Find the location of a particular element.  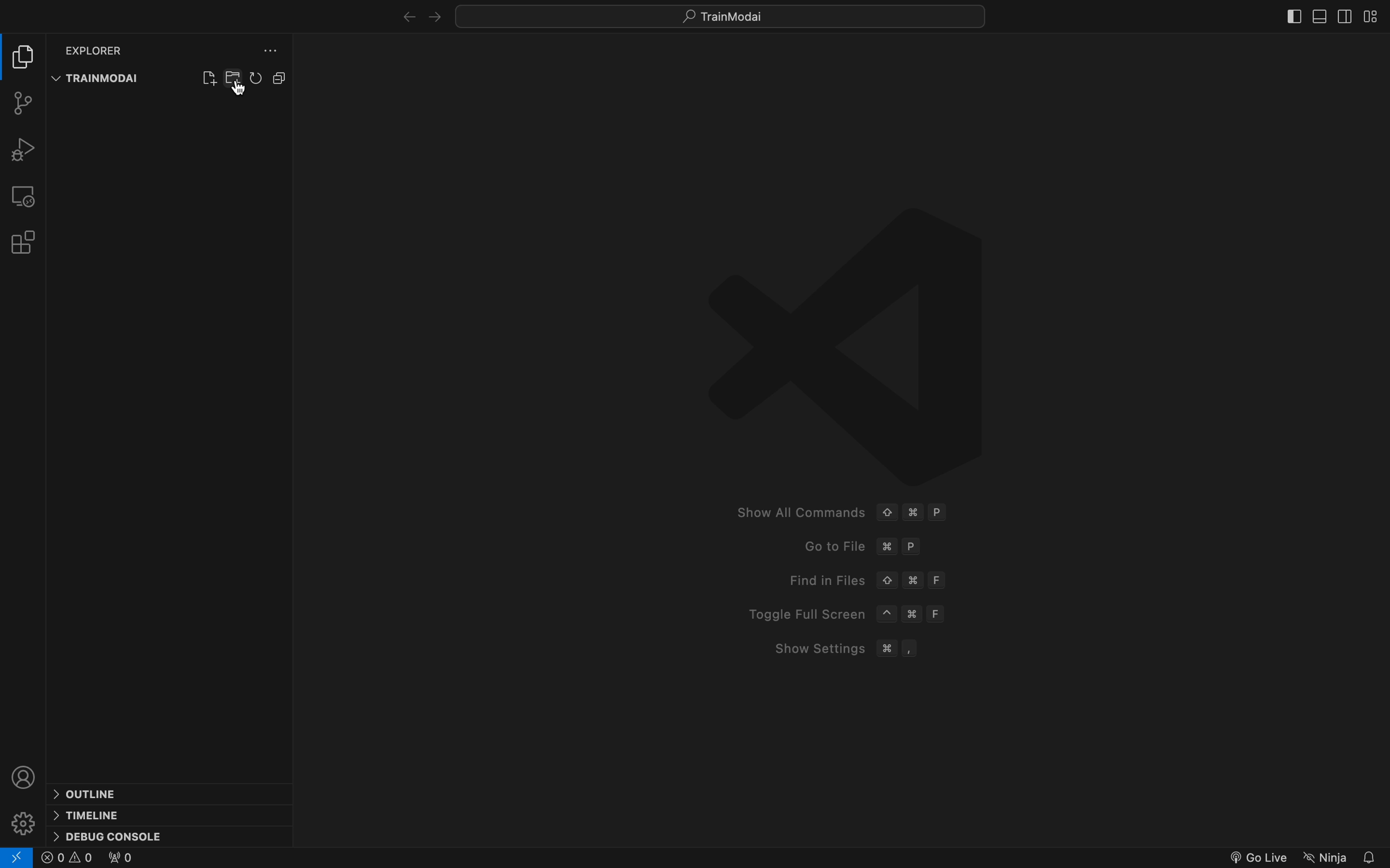

Show all commands is located at coordinates (836, 510).